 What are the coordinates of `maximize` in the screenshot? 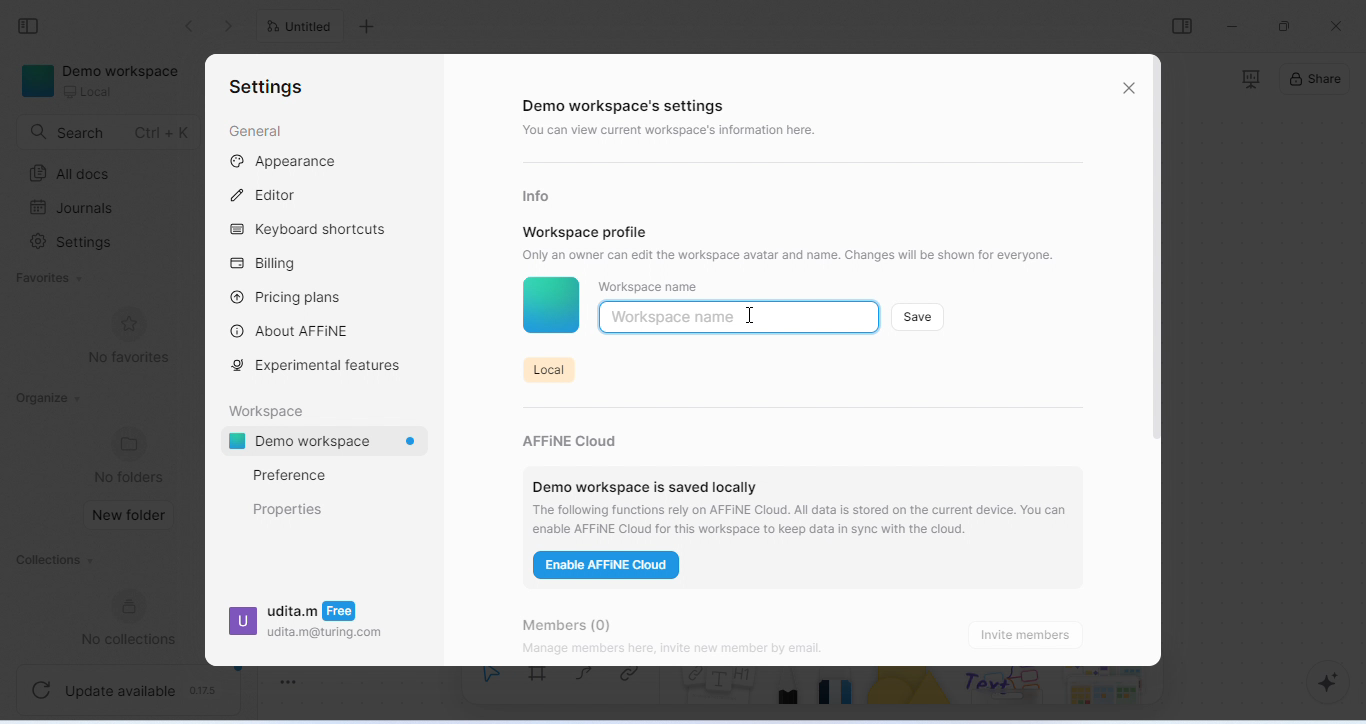 It's located at (1287, 25).